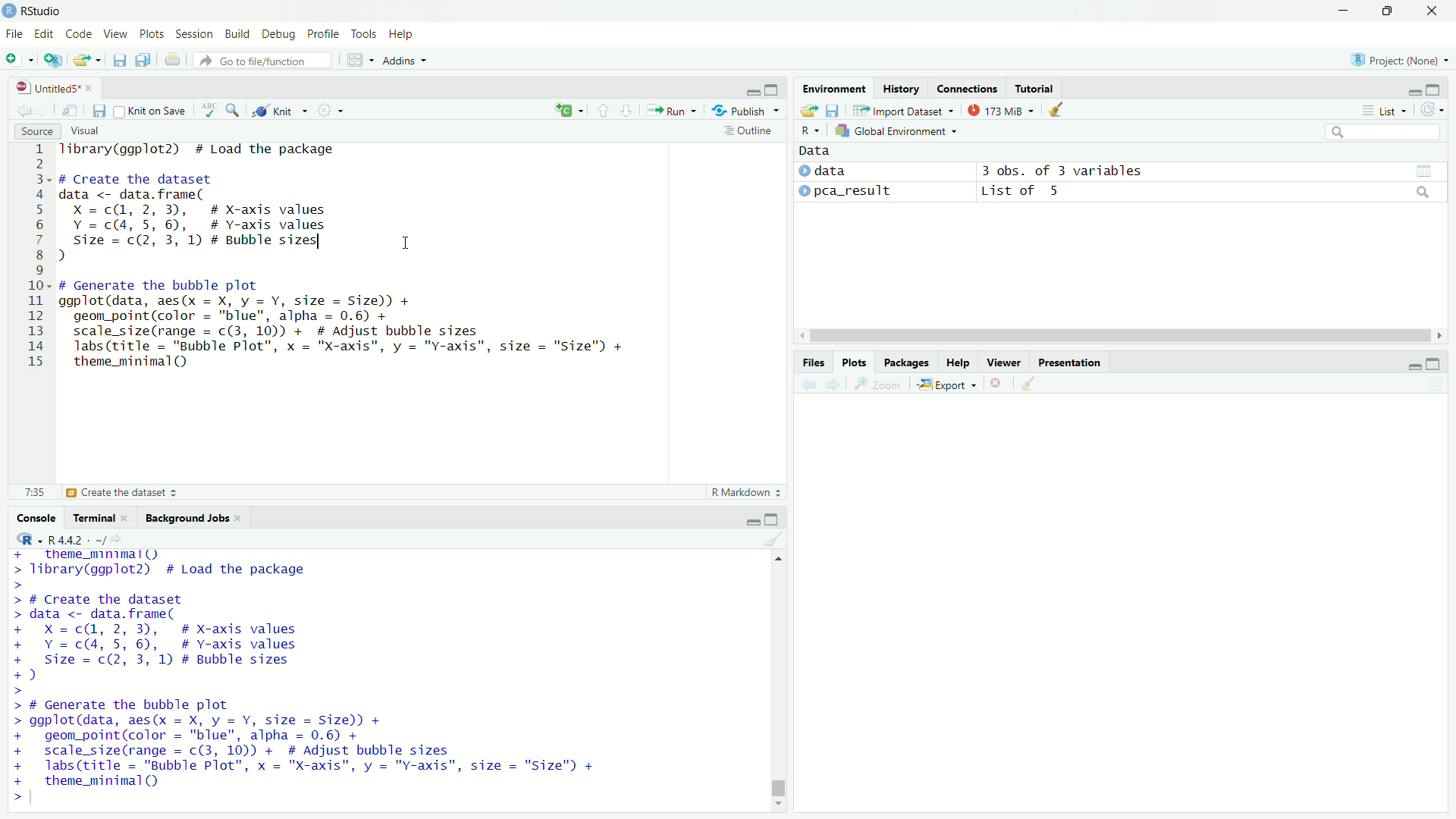 The width and height of the screenshot is (1456, 819). What do you see at coordinates (24, 109) in the screenshot?
I see `go back` at bounding box center [24, 109].